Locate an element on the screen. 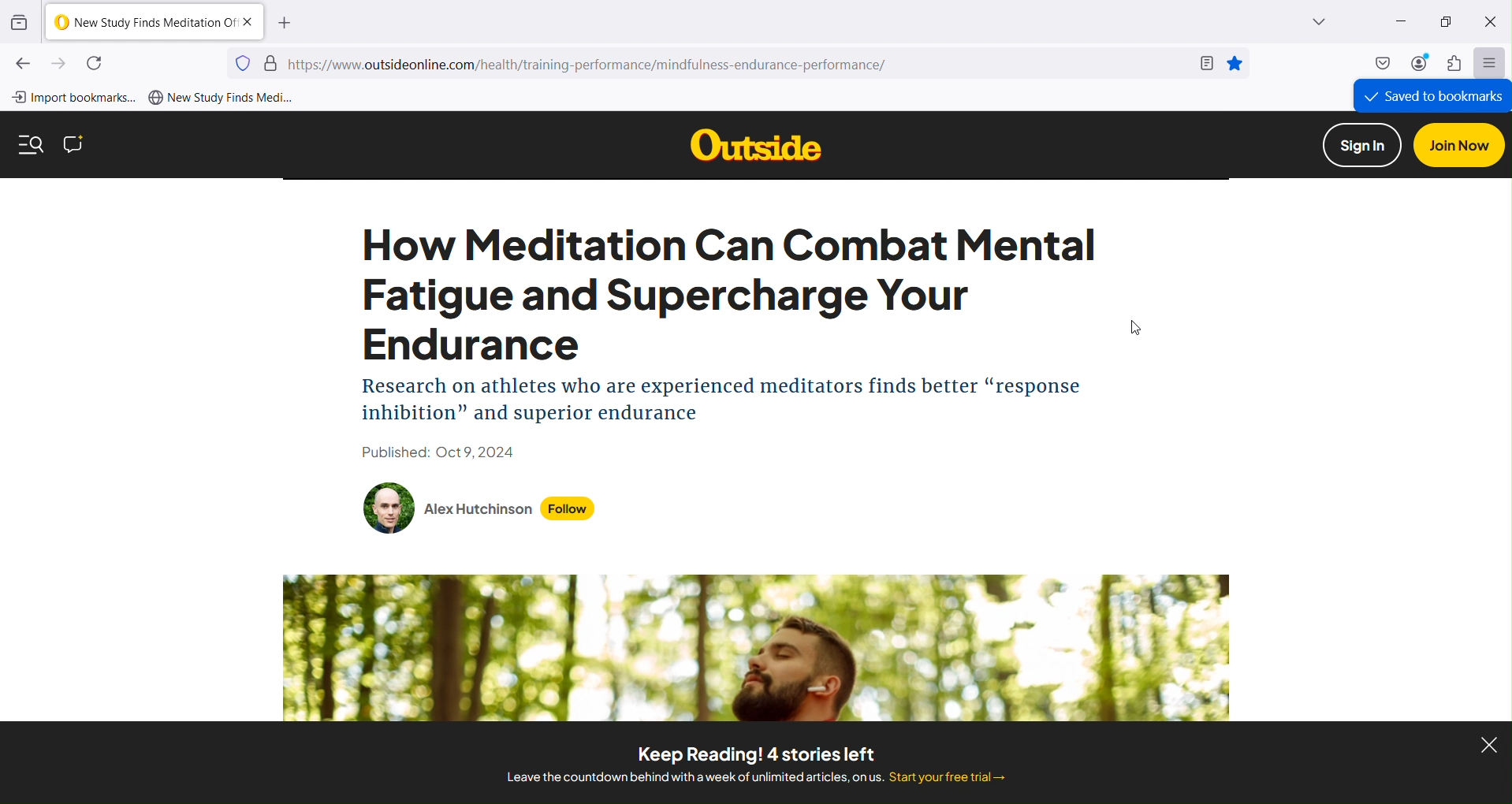 This screenshot has height=804, width=1512. Current Tab is located at coordinates (154, 22).